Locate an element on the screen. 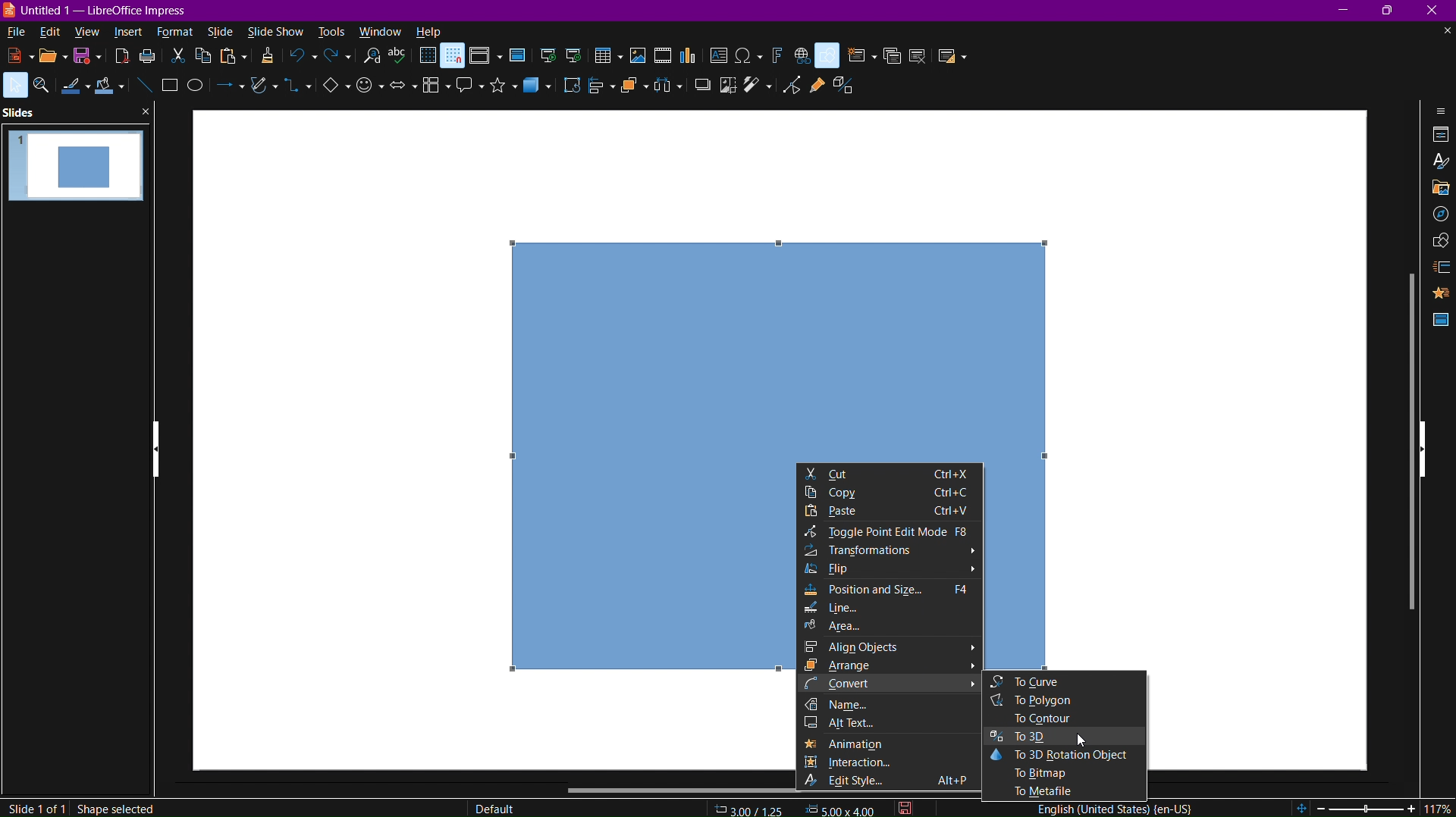  Connectors is located at coordinates (297, 92).